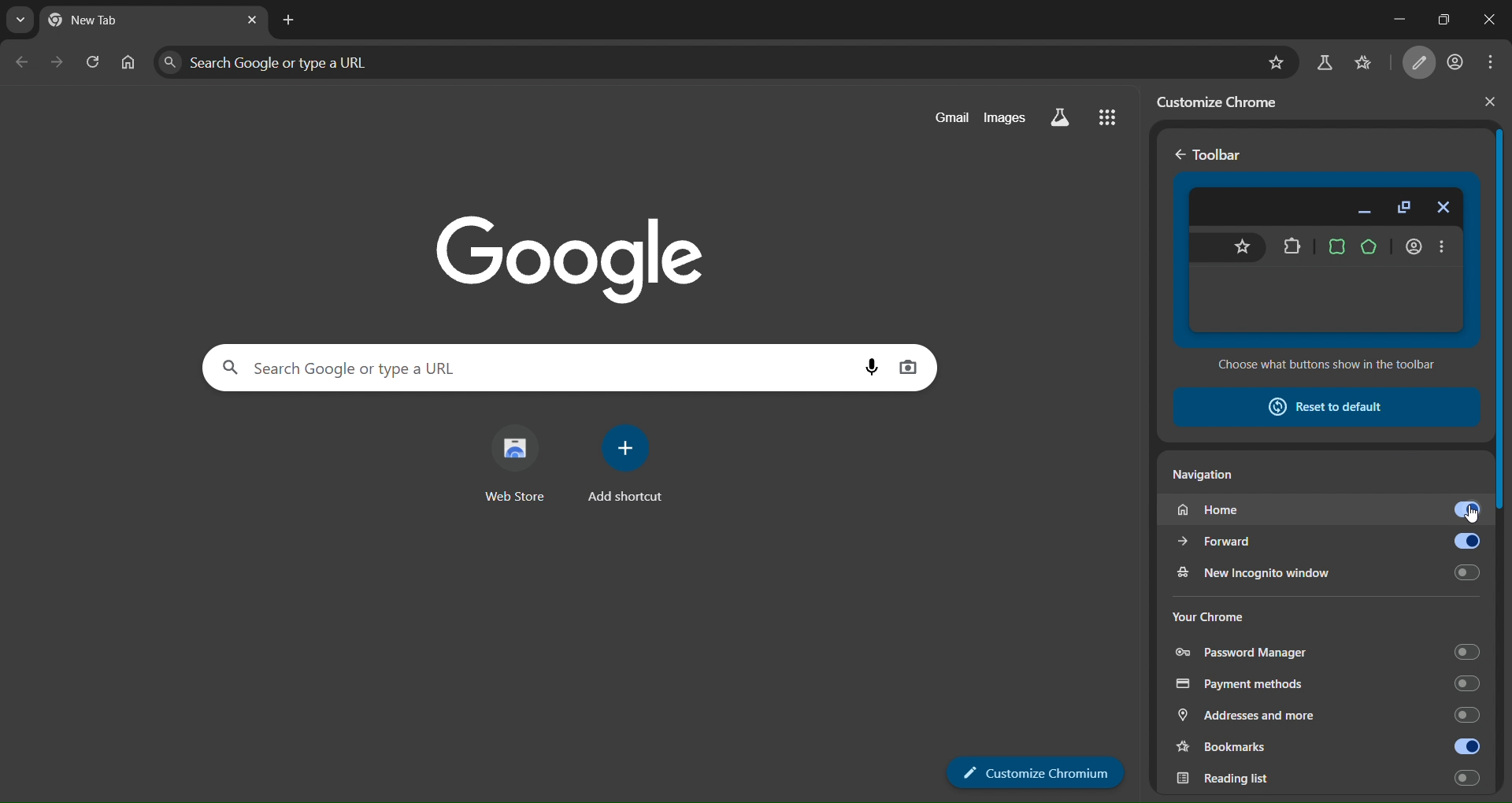 The image size is (1512, 803). What do you see at coordinates (511, 466) in the screenshot?
I see `web store` at bounding box center [511, 466].